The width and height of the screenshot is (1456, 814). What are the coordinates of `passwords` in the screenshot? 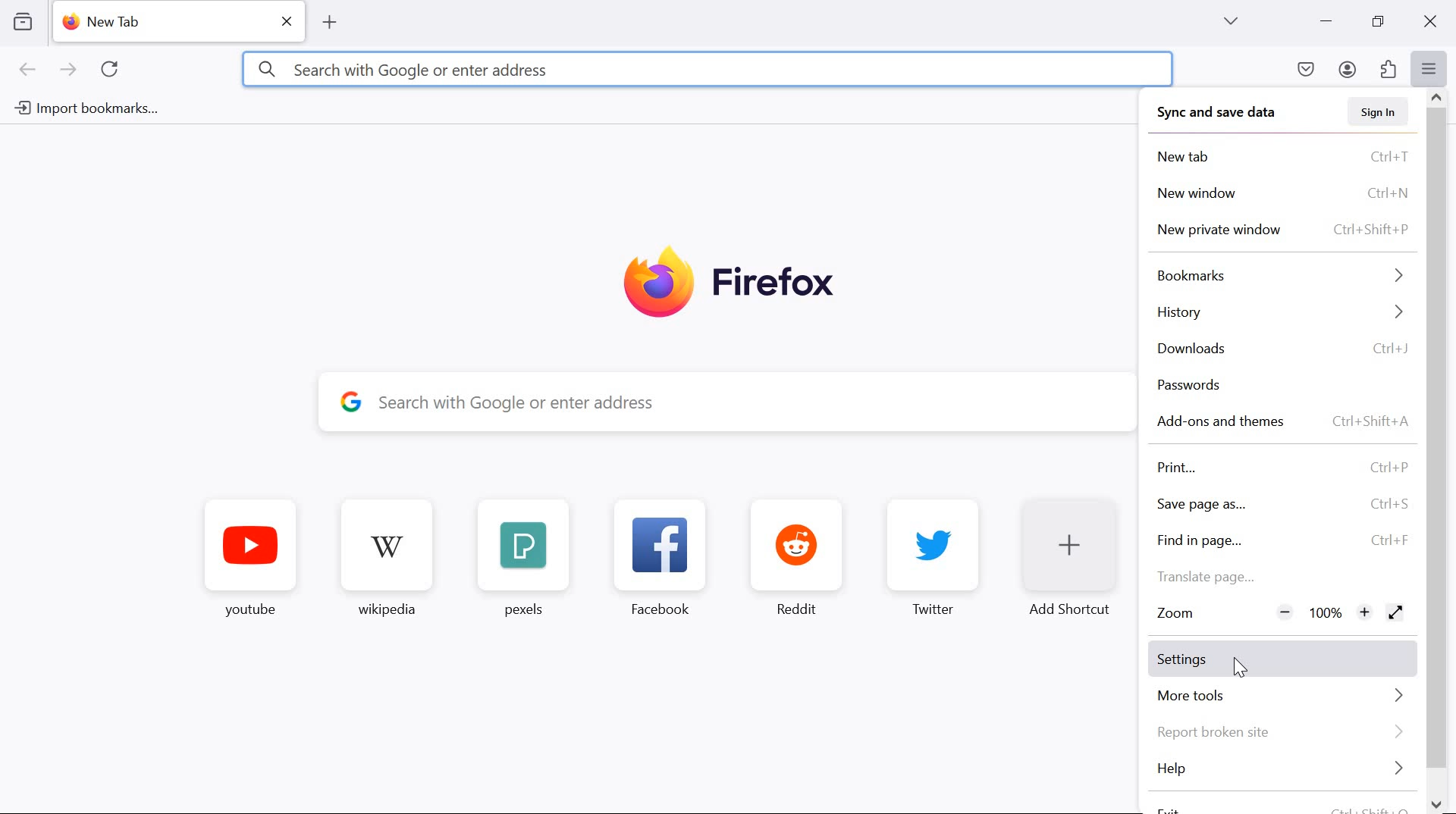 It's located at (1277, 385).